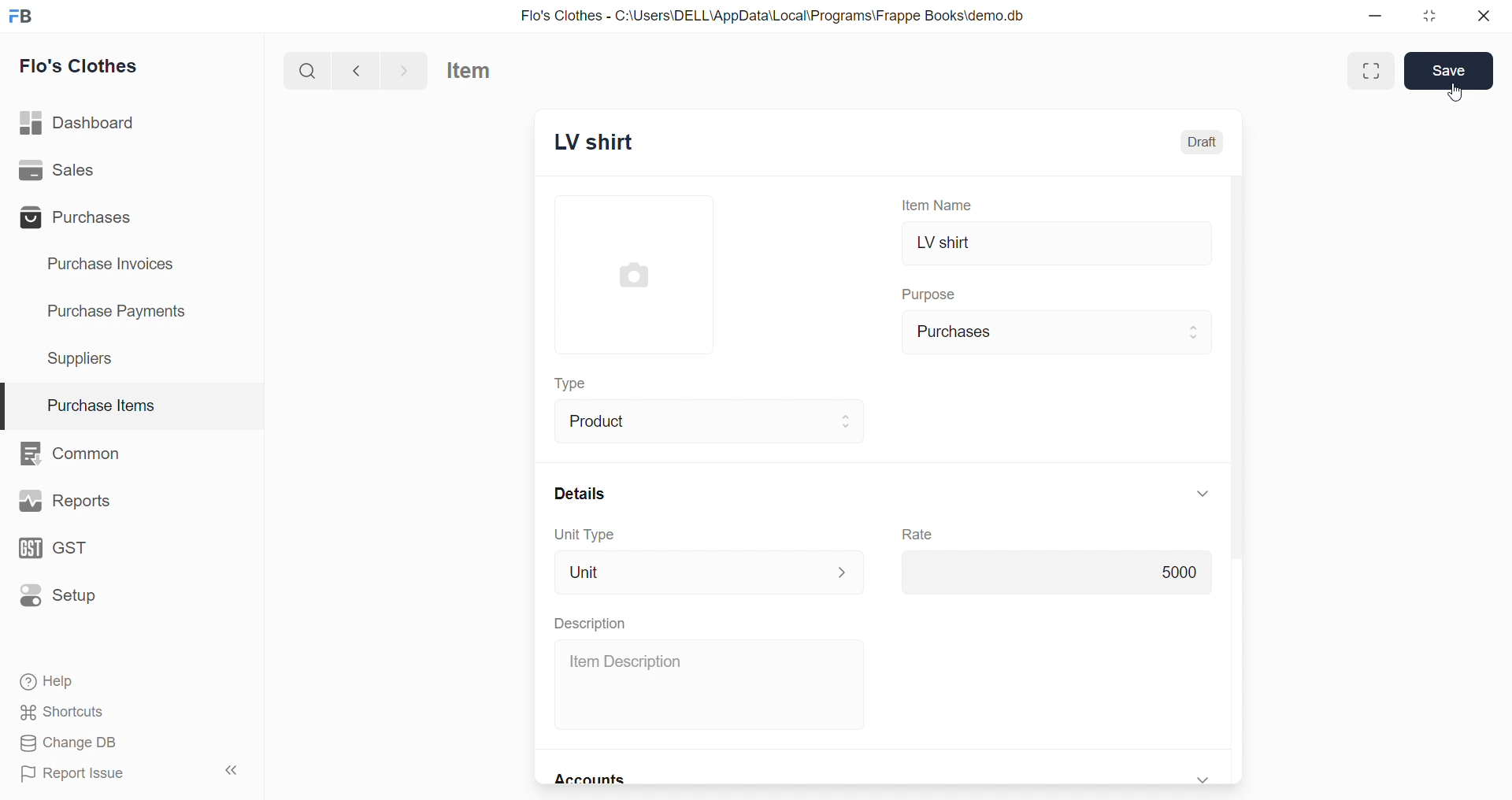 Image resolution: width=1512 pixels, height=800 pixels. What do you see at coordinates (1243, 480) in the screenshot?
I see `scroll bar` at bounding box center [1243, 480].